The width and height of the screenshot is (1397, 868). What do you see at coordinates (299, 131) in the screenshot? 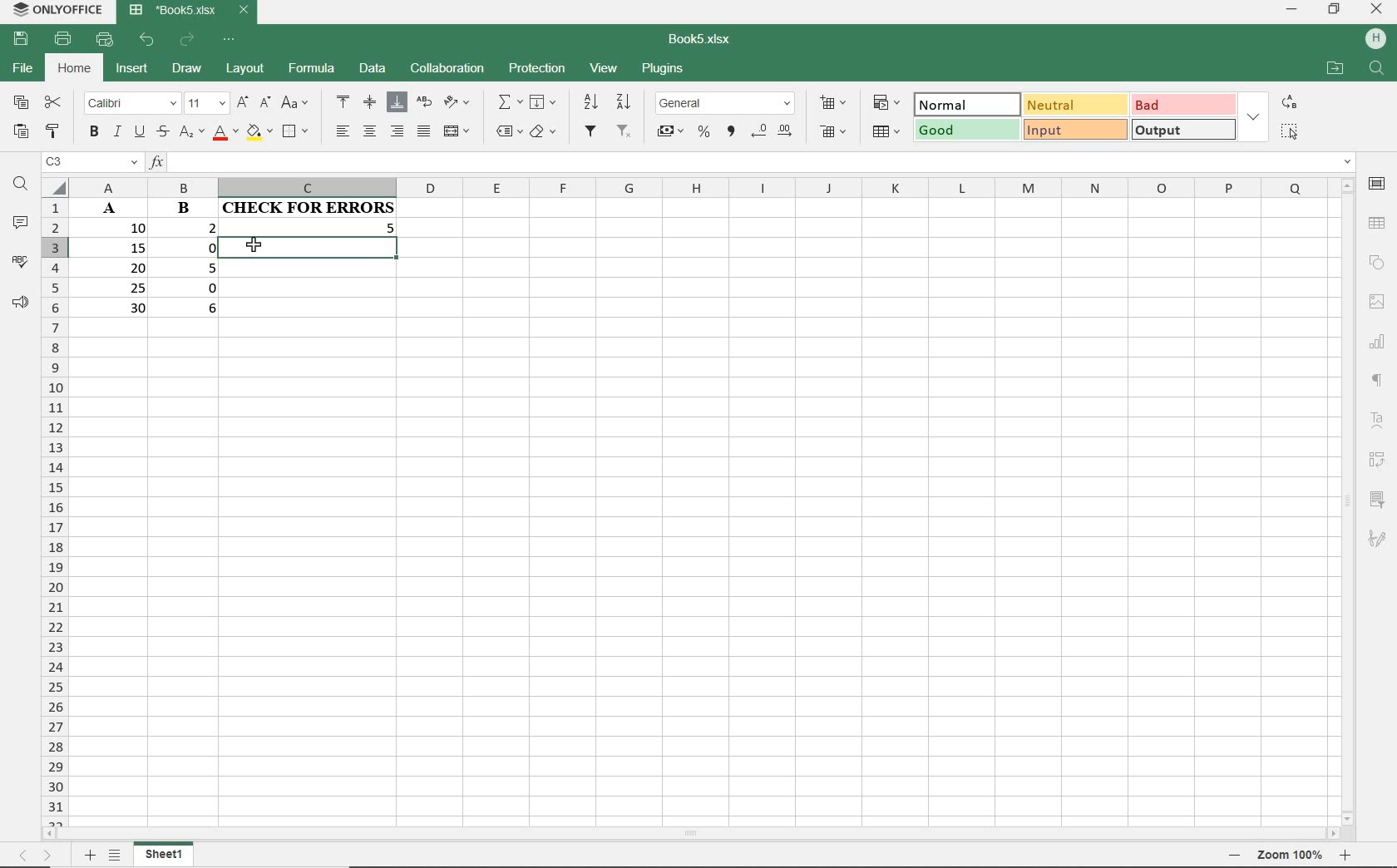
I see `BORDERS` at bounding box center [299, 131].